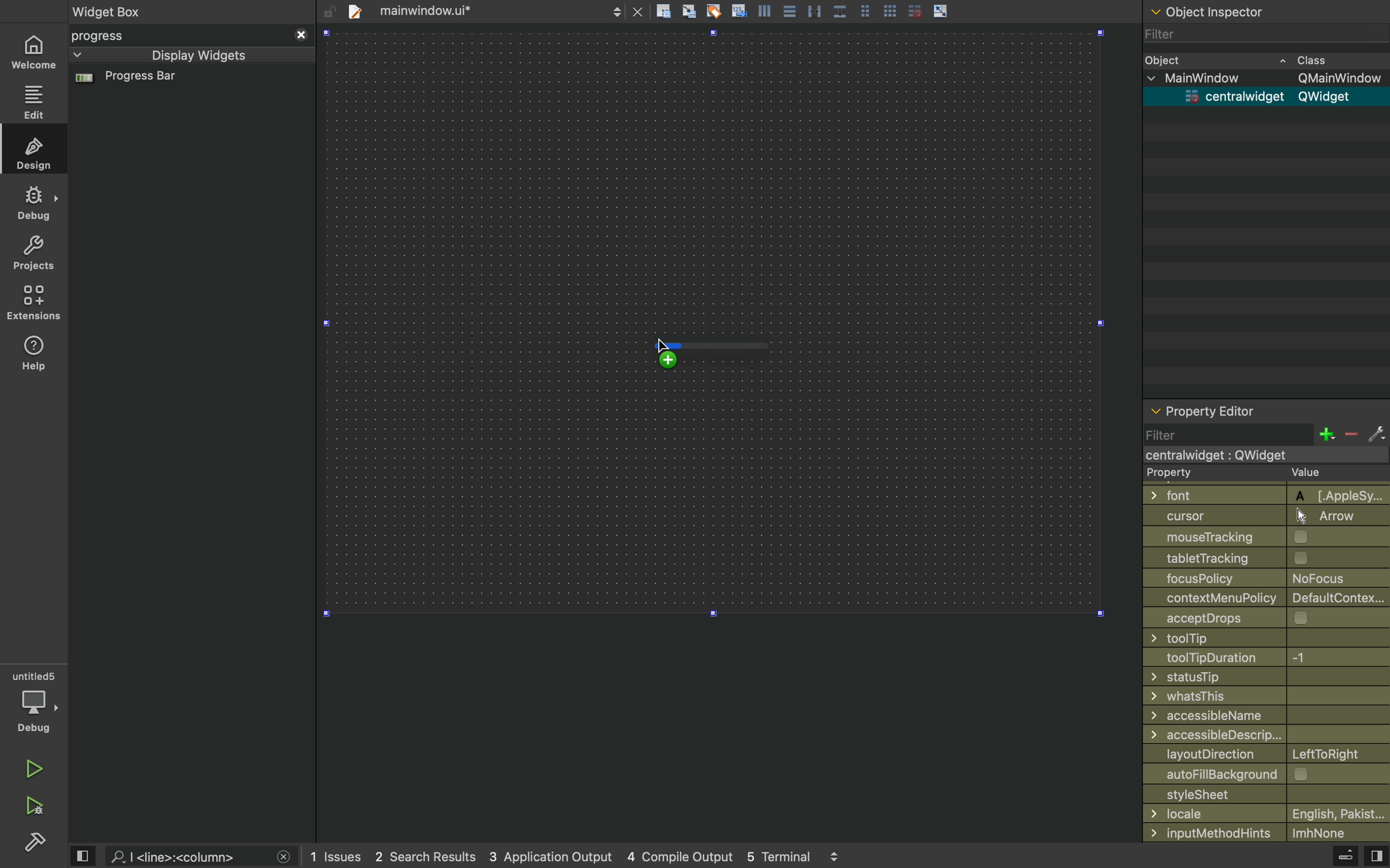  What do you see at coordinates (188, 83) in the screenshot?
I see `progress br widget` at bounding box center [188, 83].